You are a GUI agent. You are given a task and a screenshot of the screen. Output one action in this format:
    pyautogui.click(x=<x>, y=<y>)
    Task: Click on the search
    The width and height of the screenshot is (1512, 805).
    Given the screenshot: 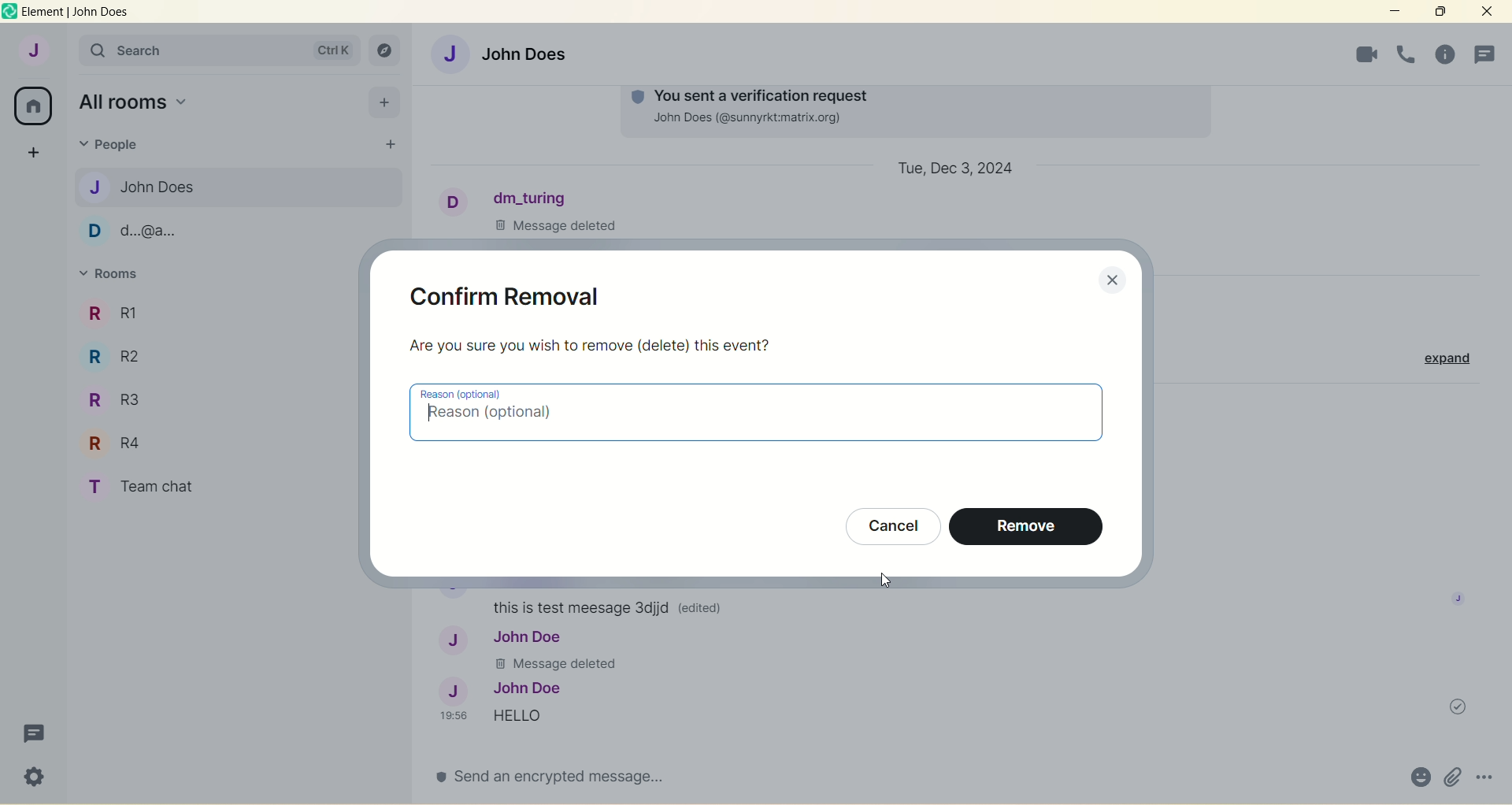 What is the action you would take?
    pyautogui.click(x=117, y=52)
    